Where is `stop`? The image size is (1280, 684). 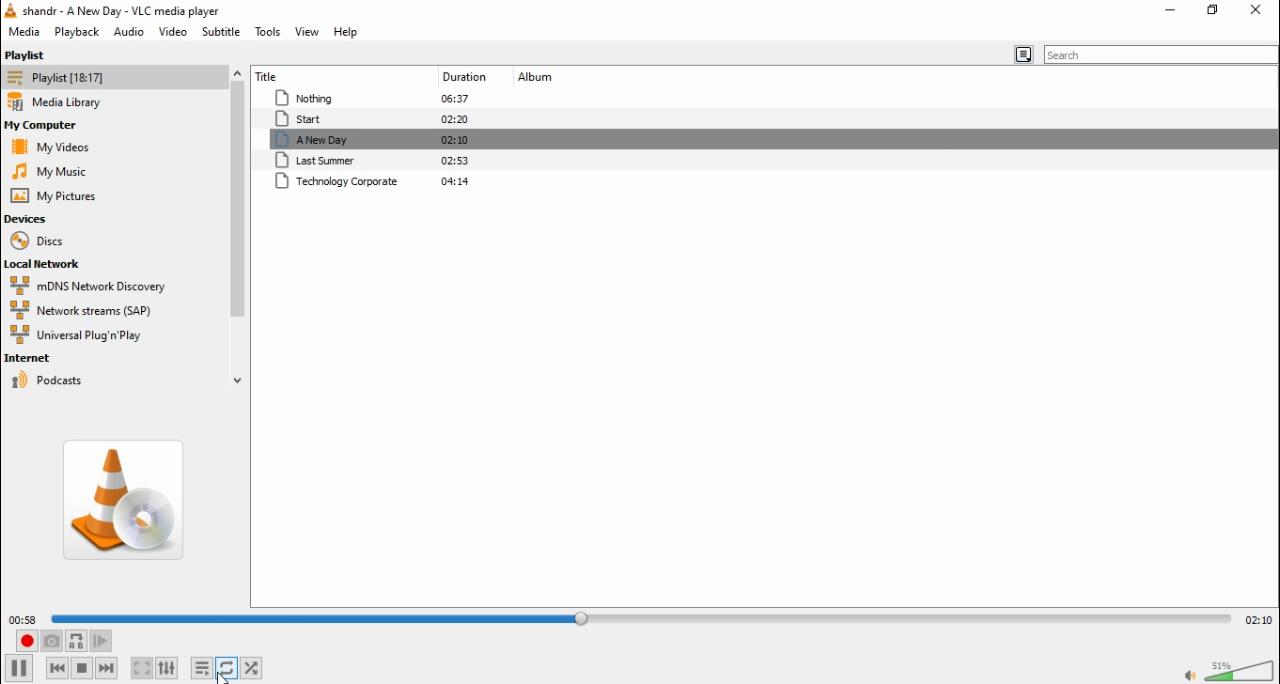
stop is located at coordinates (82, 668).